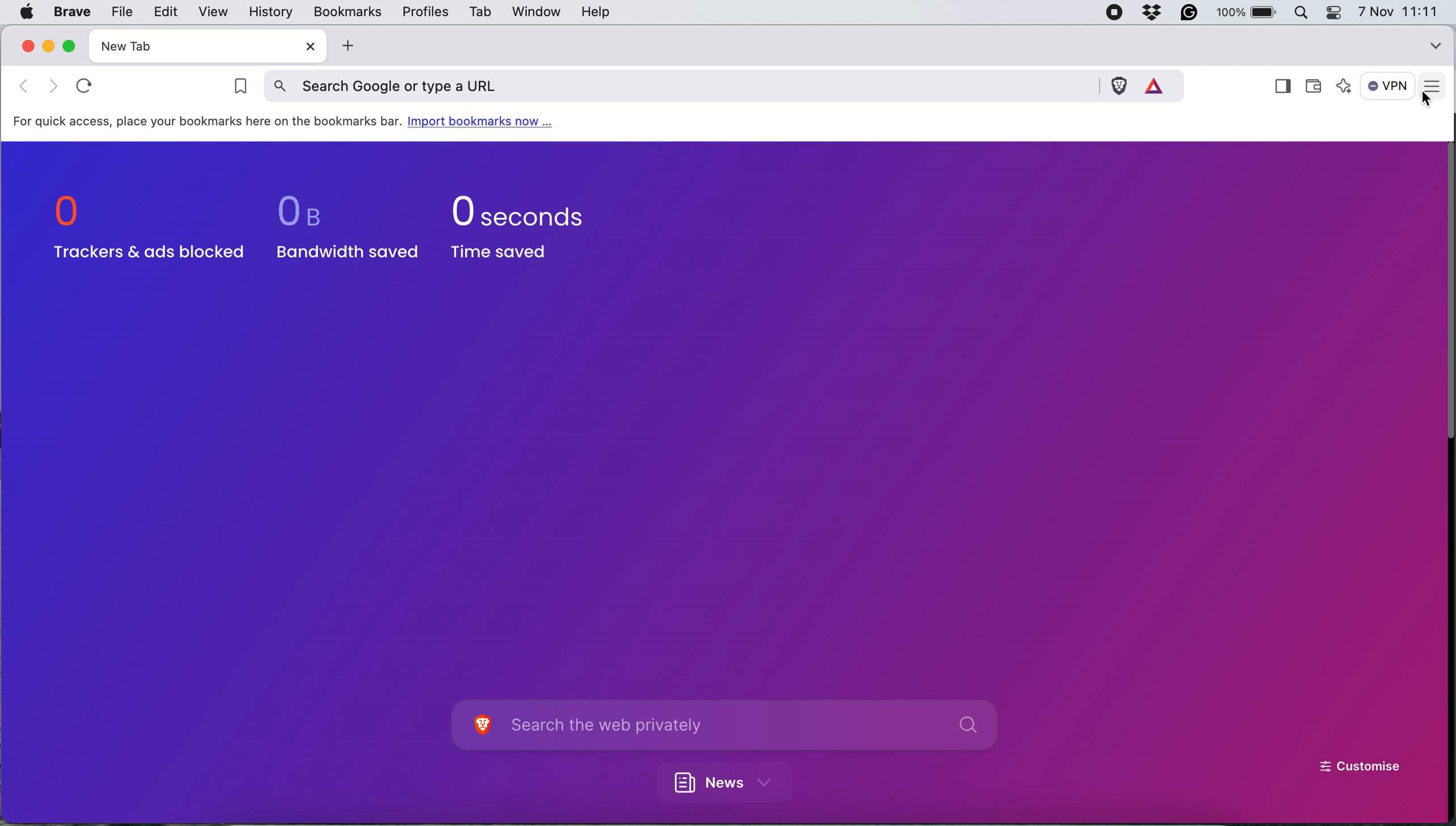 The width and height of the screenshot is (1456, 826). I want to click on bookmarks, so click(347, 11).